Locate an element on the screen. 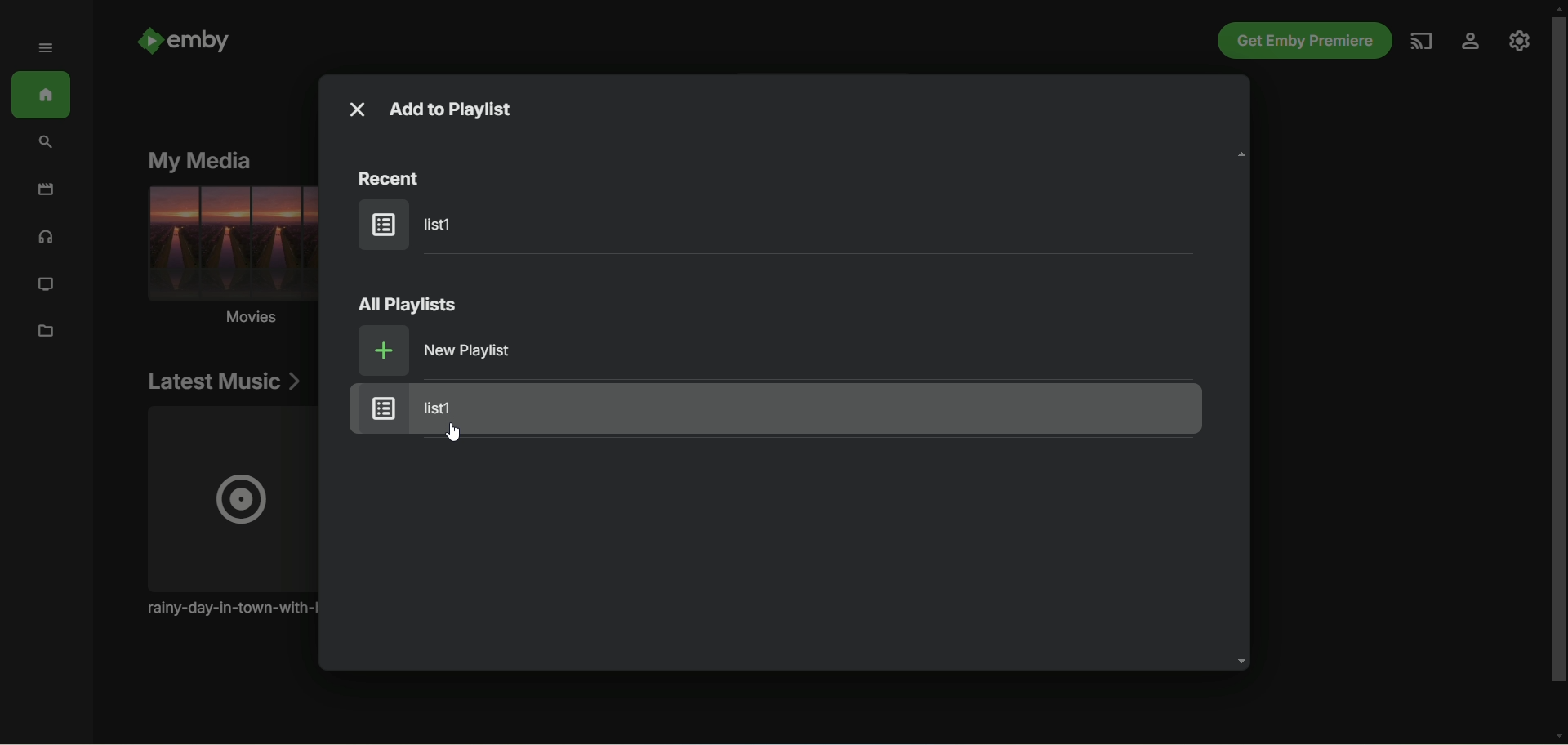 This screenshot has height=745, width=1568. new playlist is located at coordinates (438, 350).